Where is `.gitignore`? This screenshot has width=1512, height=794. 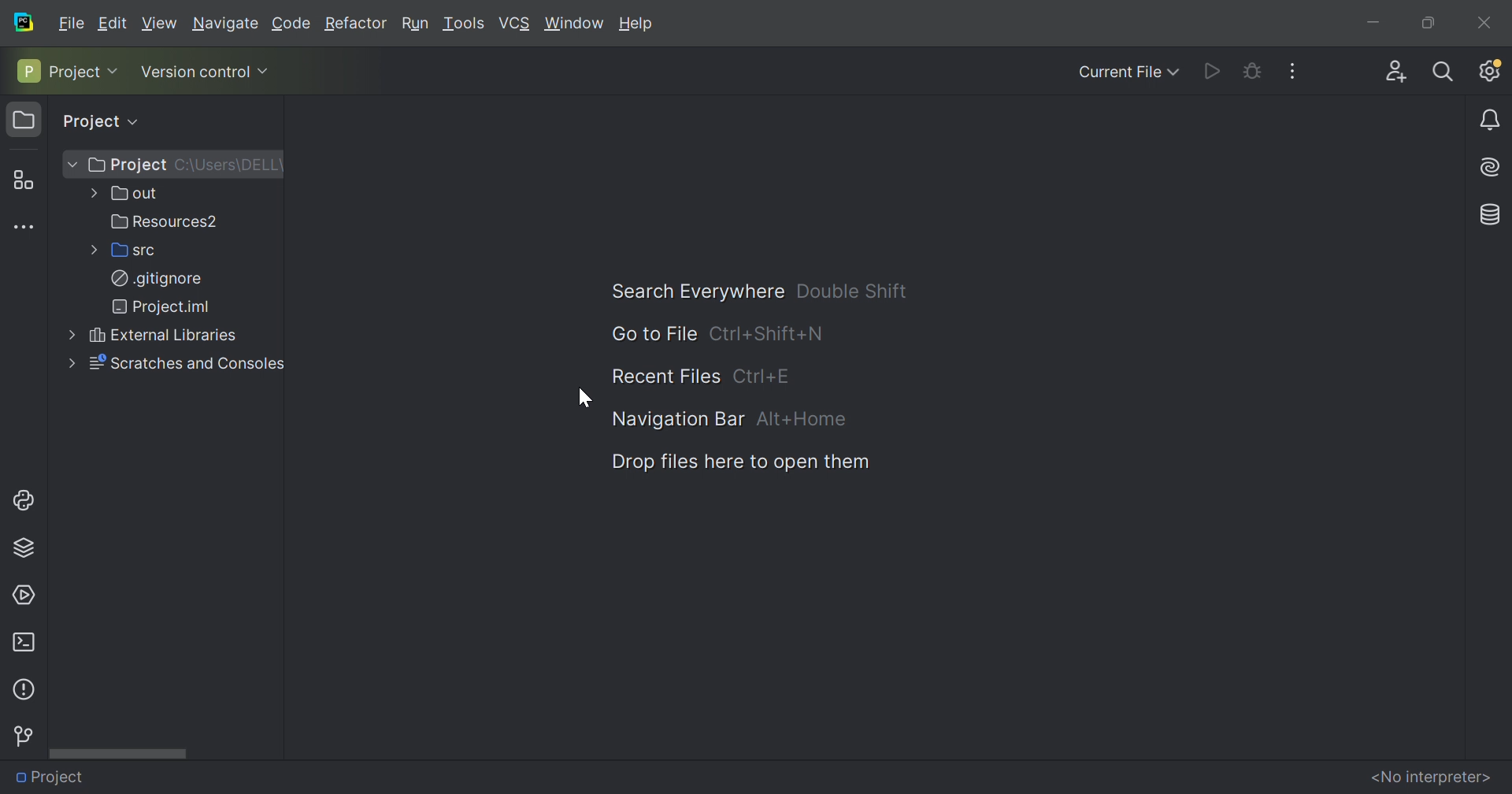 .gitignore is located at coordinates (155, 279).